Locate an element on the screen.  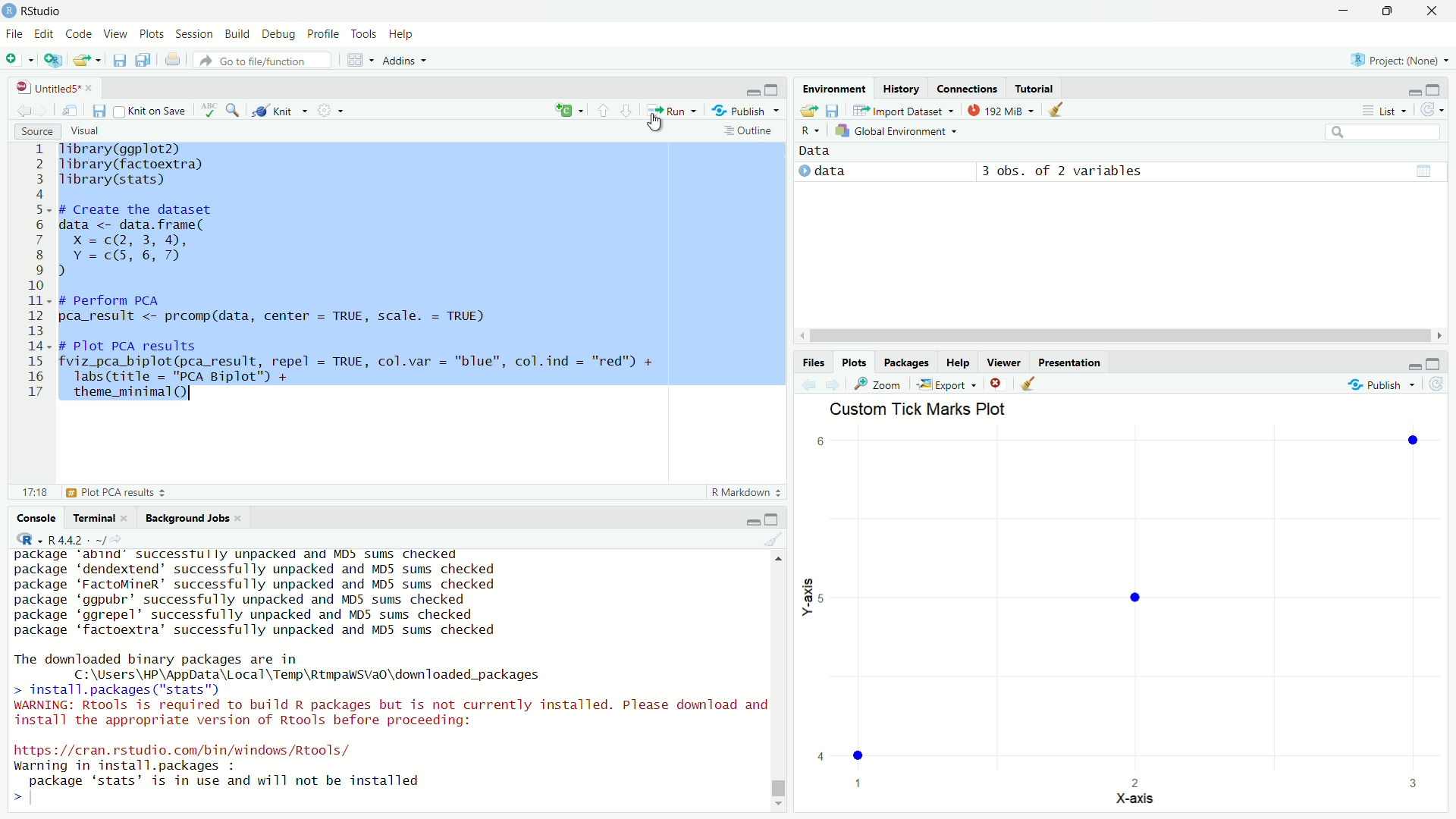
save current document is located at coordinates (100, 111).